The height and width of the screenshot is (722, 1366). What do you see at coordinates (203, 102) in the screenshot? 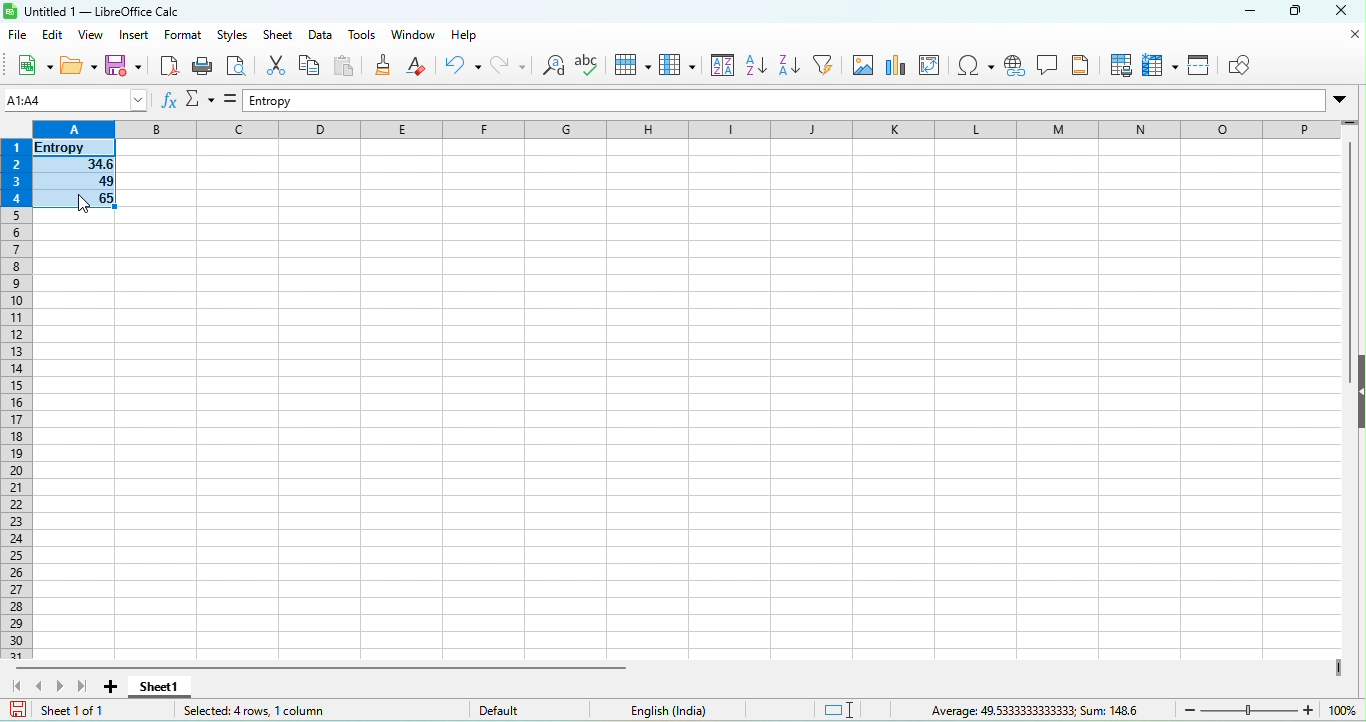
I see `select function` at bounding box center [203, 102].